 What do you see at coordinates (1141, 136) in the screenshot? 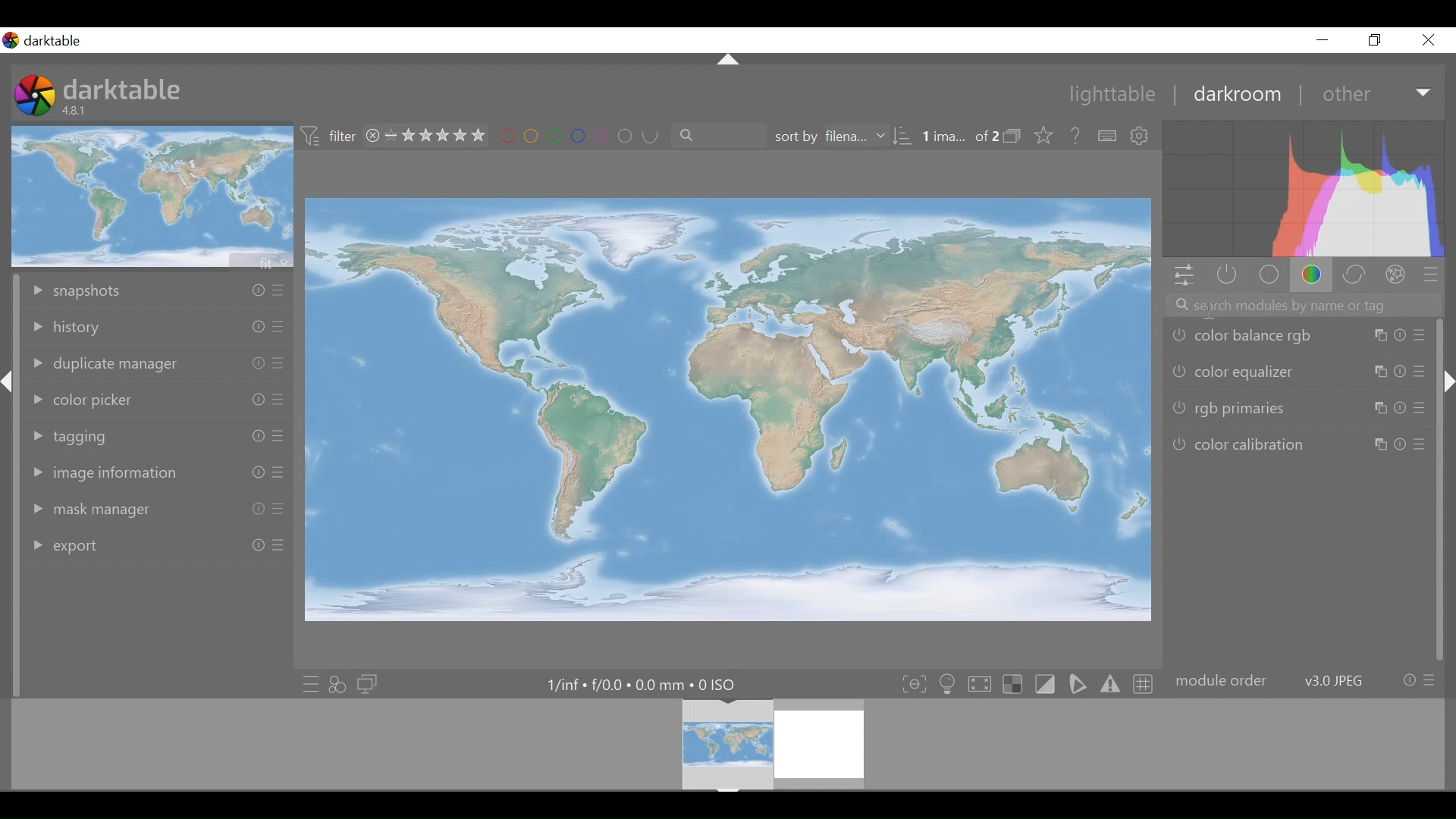
I see `settings` at bounding box center [1141, 136].